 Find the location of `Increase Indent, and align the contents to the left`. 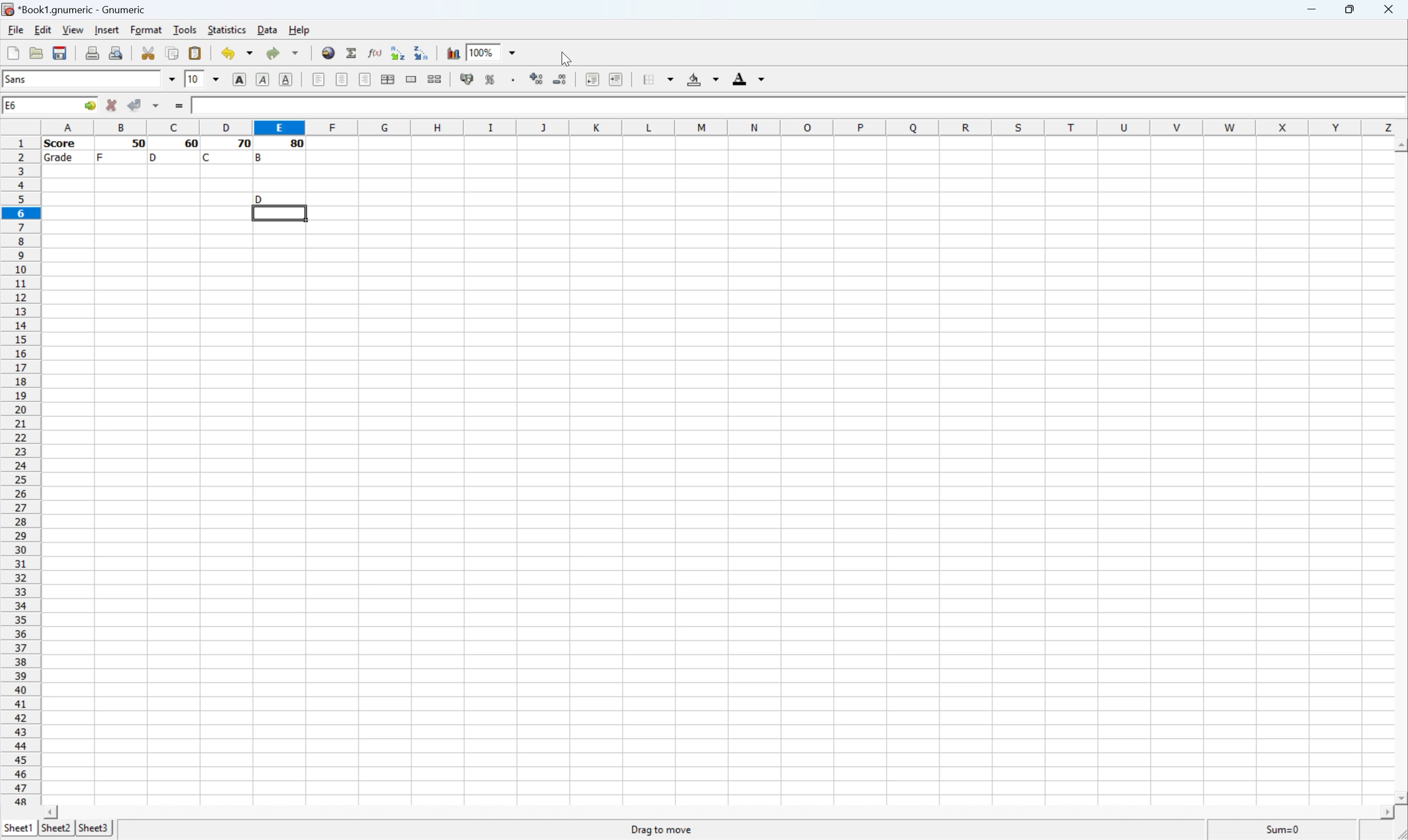

Increase Indent, and align the contents to the left is located at coordinates (617, 76).